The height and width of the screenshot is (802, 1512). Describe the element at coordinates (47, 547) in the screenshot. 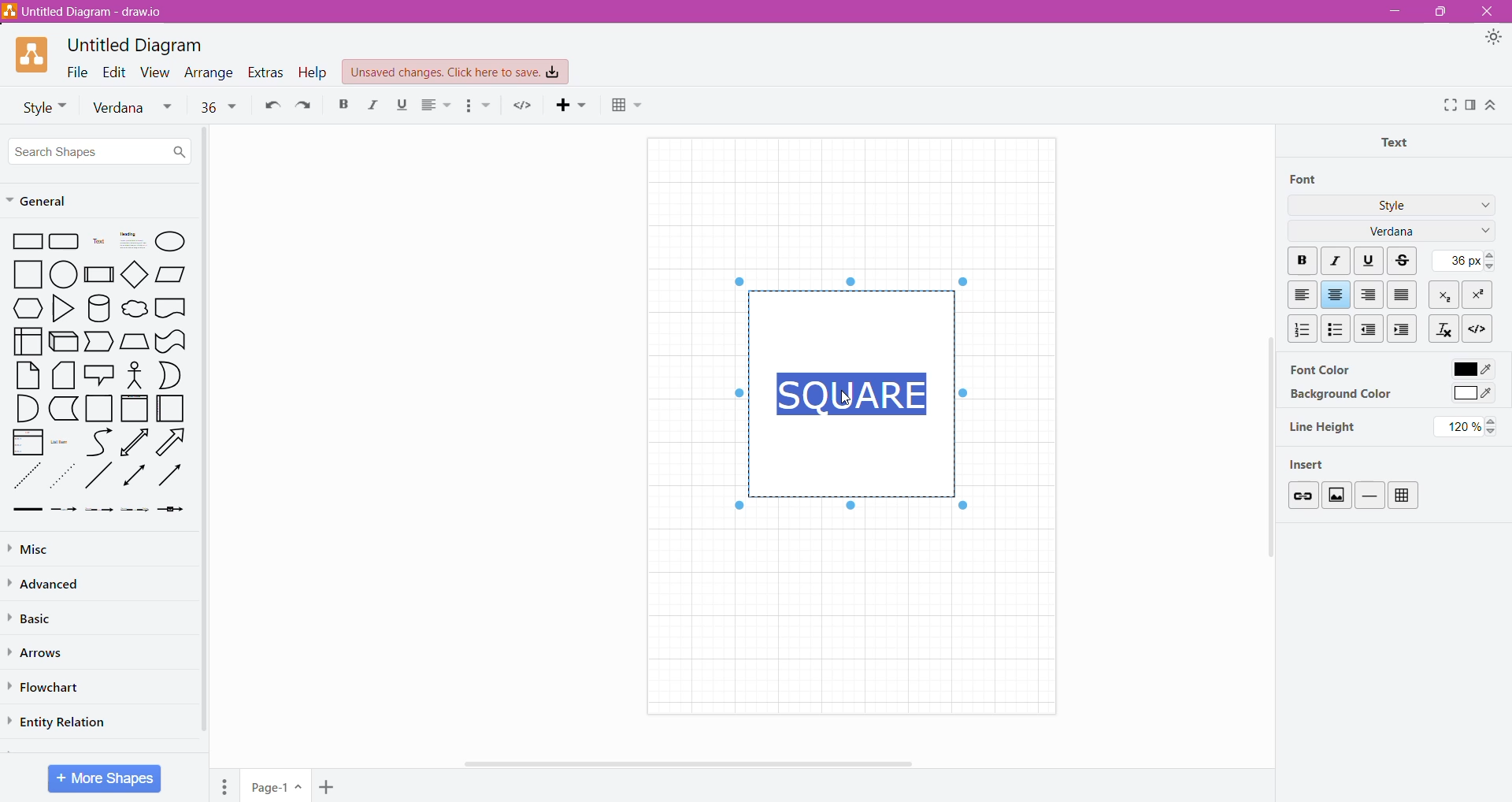

I see `Misc` at that location.